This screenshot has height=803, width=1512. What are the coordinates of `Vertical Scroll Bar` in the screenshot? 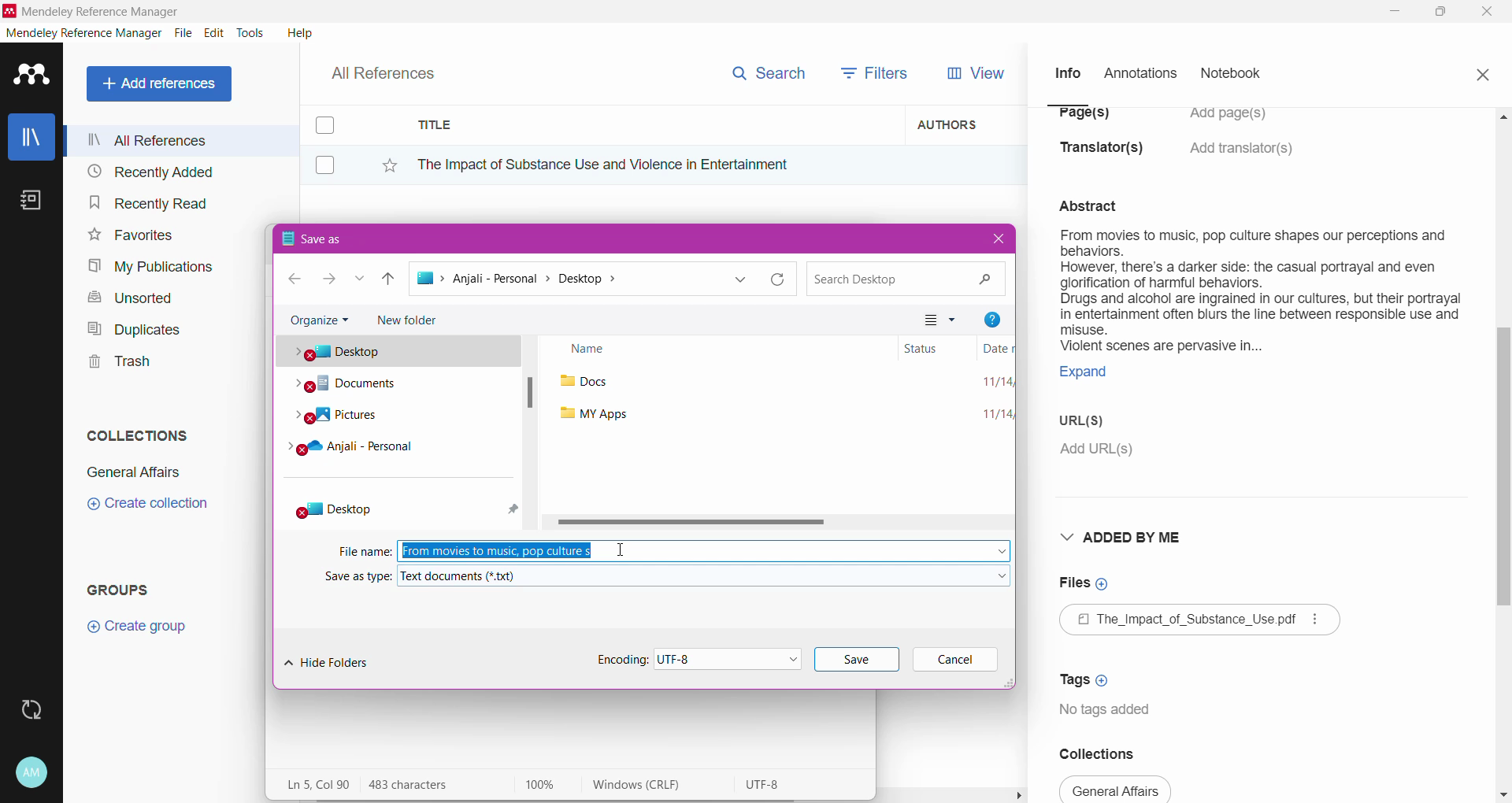 It's located at (532, 435).